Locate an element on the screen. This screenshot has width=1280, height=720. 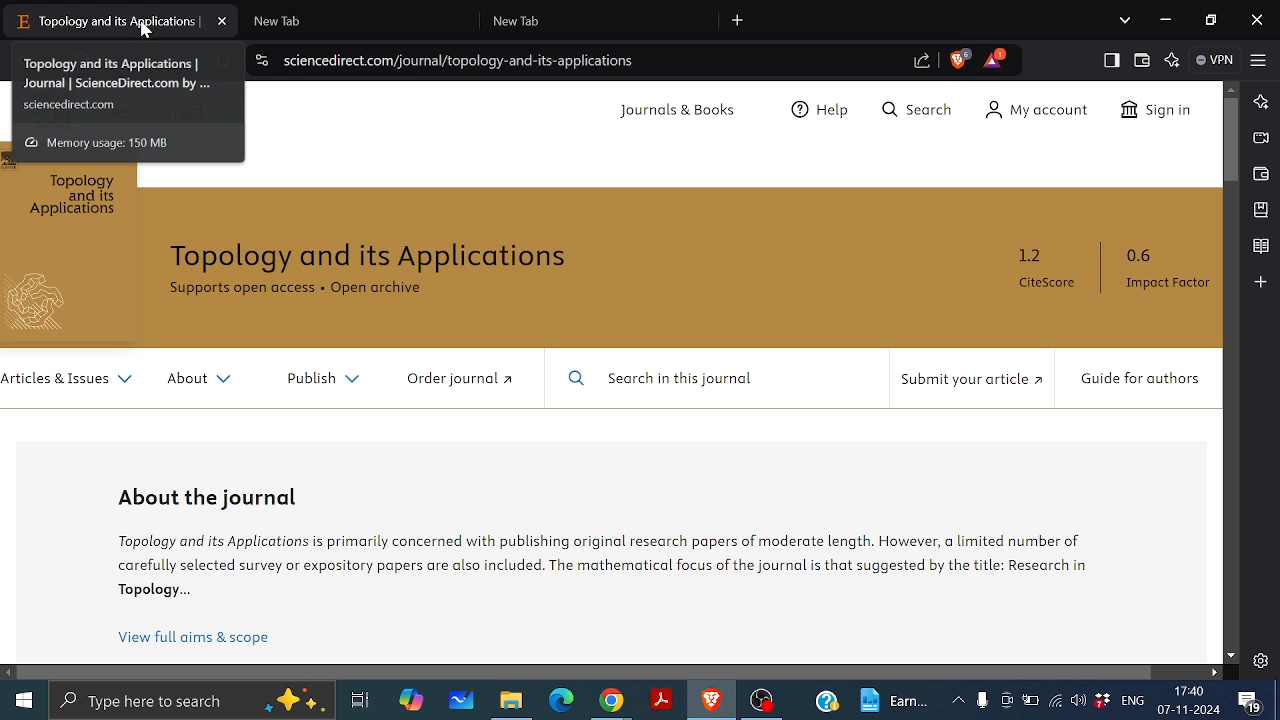
About the journal

Topology and its Applications is primarily concerned with publishing original research papers of moderate length. However, a limited number of
carefully selected survey or expository papers are also included. The mathematical focus of the journal is that suggested by the title: Research in
Topology... is located at coordinates (632, 544).